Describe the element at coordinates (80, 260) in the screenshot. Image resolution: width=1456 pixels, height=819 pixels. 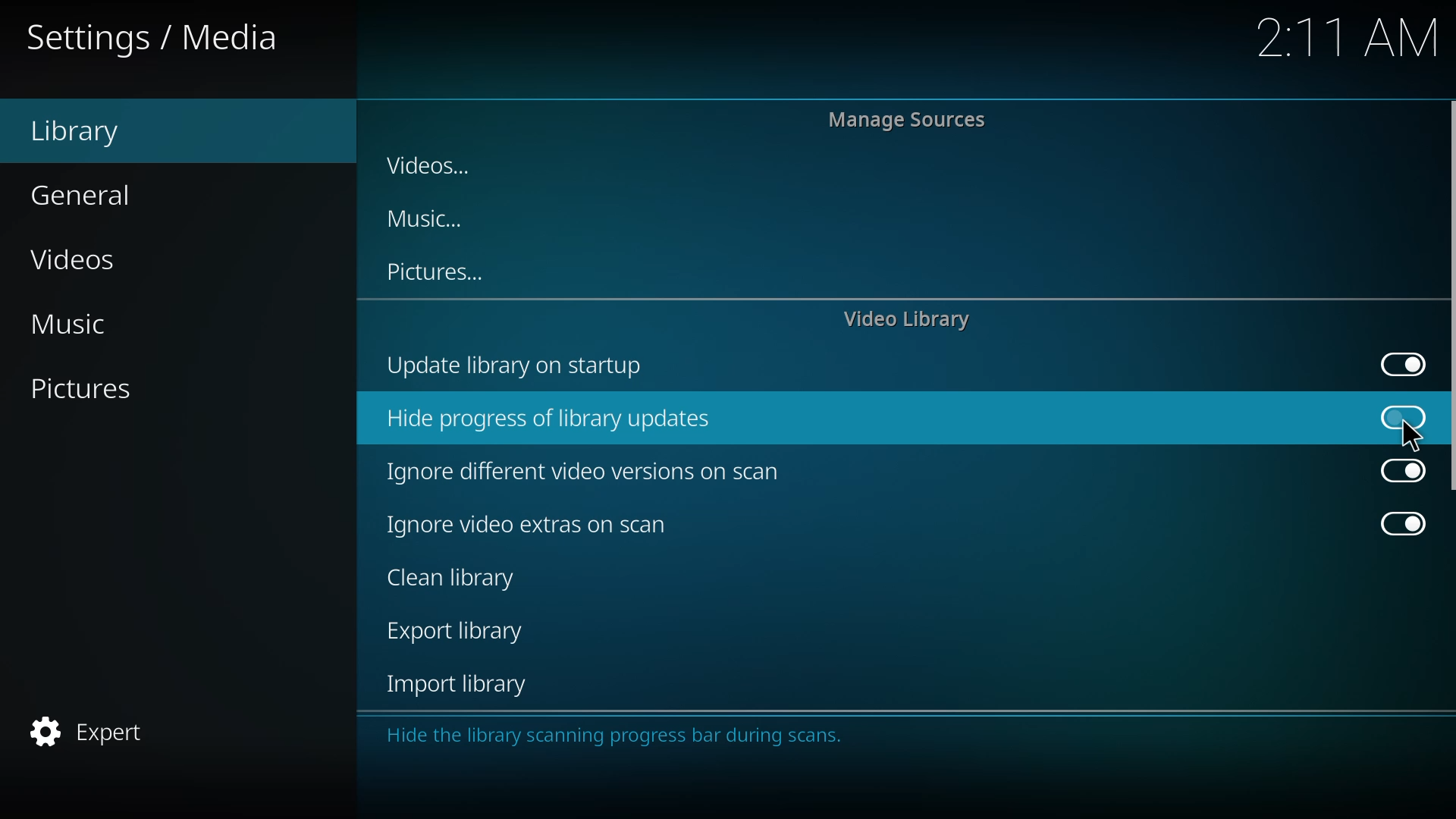
I see `videos` at that location.